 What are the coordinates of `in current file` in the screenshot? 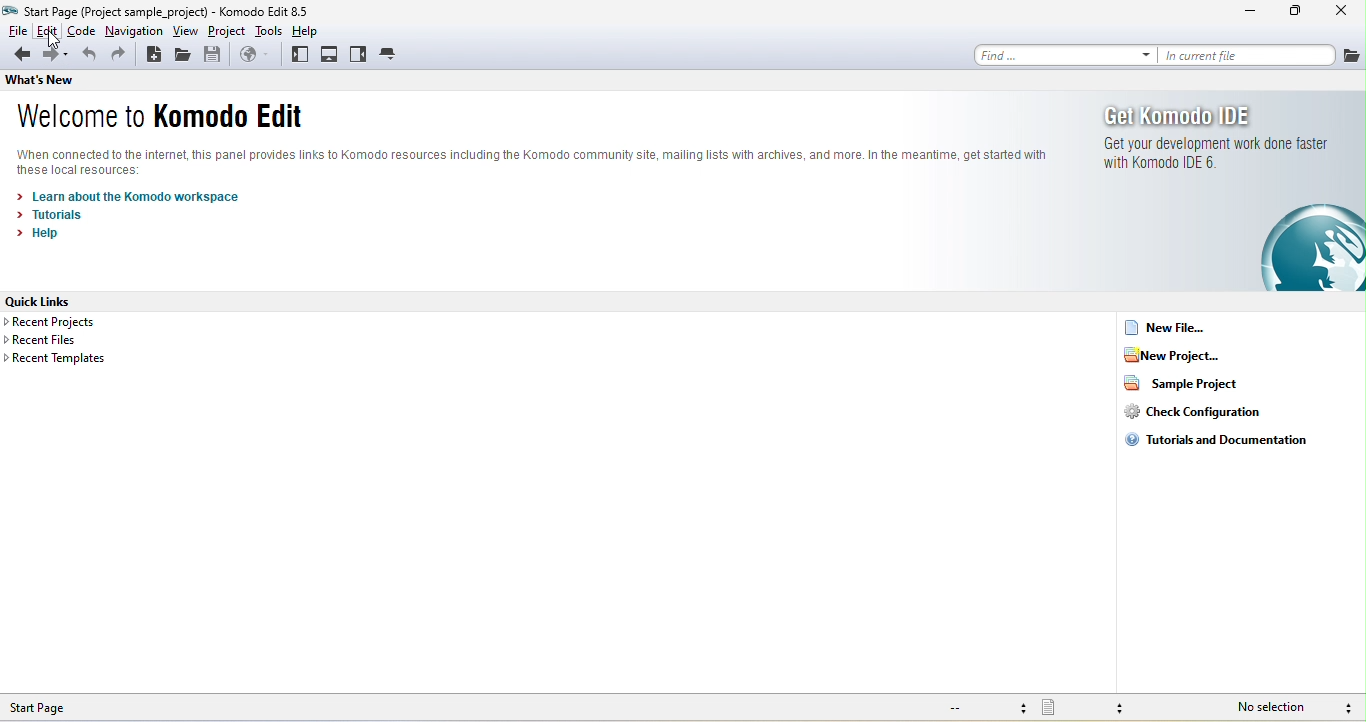 It's located at (1251, 56).